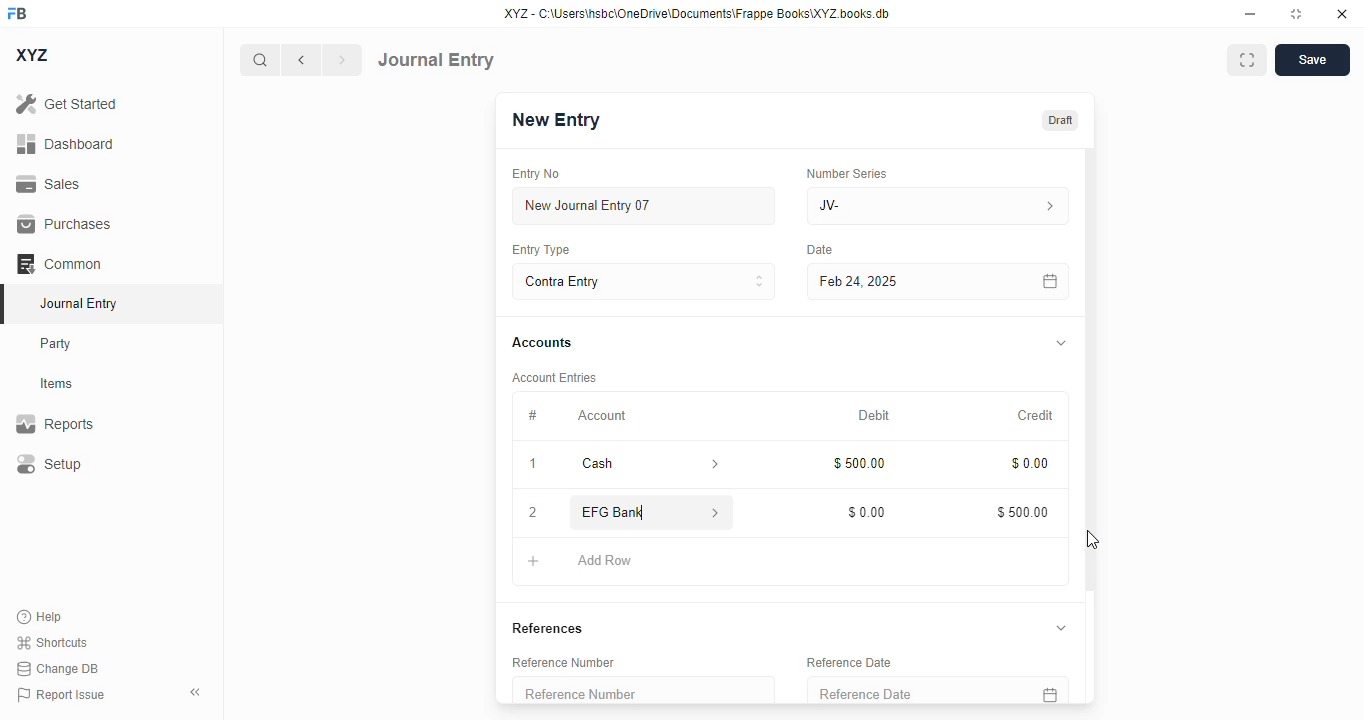 The width and height of the screenshot is (1364, 720). Describe the element at coordinates (49, 463) in the screenshot. I see `setup` at that location.